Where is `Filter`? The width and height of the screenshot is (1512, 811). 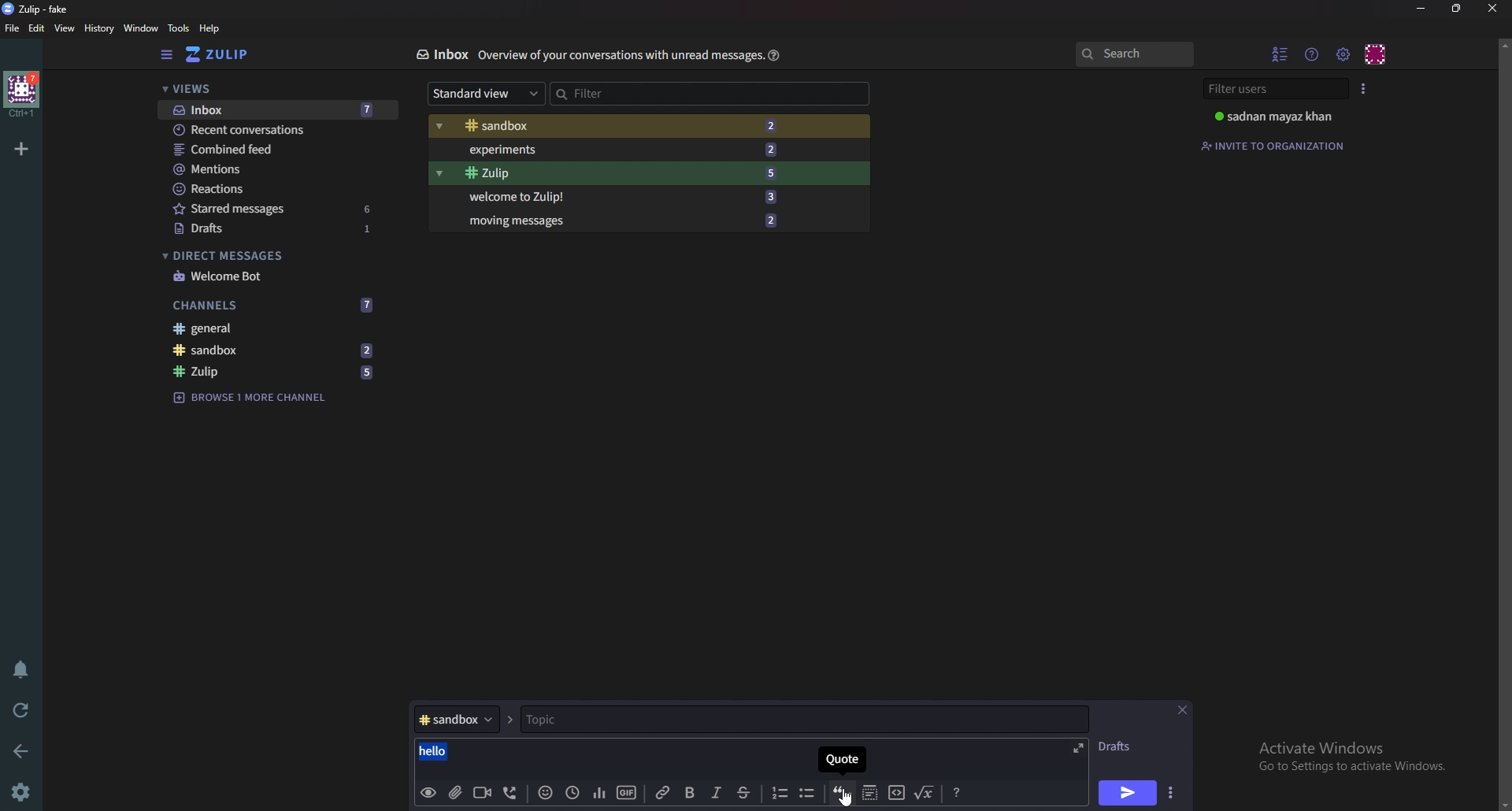
Filter is located at coordinates (710, 94).